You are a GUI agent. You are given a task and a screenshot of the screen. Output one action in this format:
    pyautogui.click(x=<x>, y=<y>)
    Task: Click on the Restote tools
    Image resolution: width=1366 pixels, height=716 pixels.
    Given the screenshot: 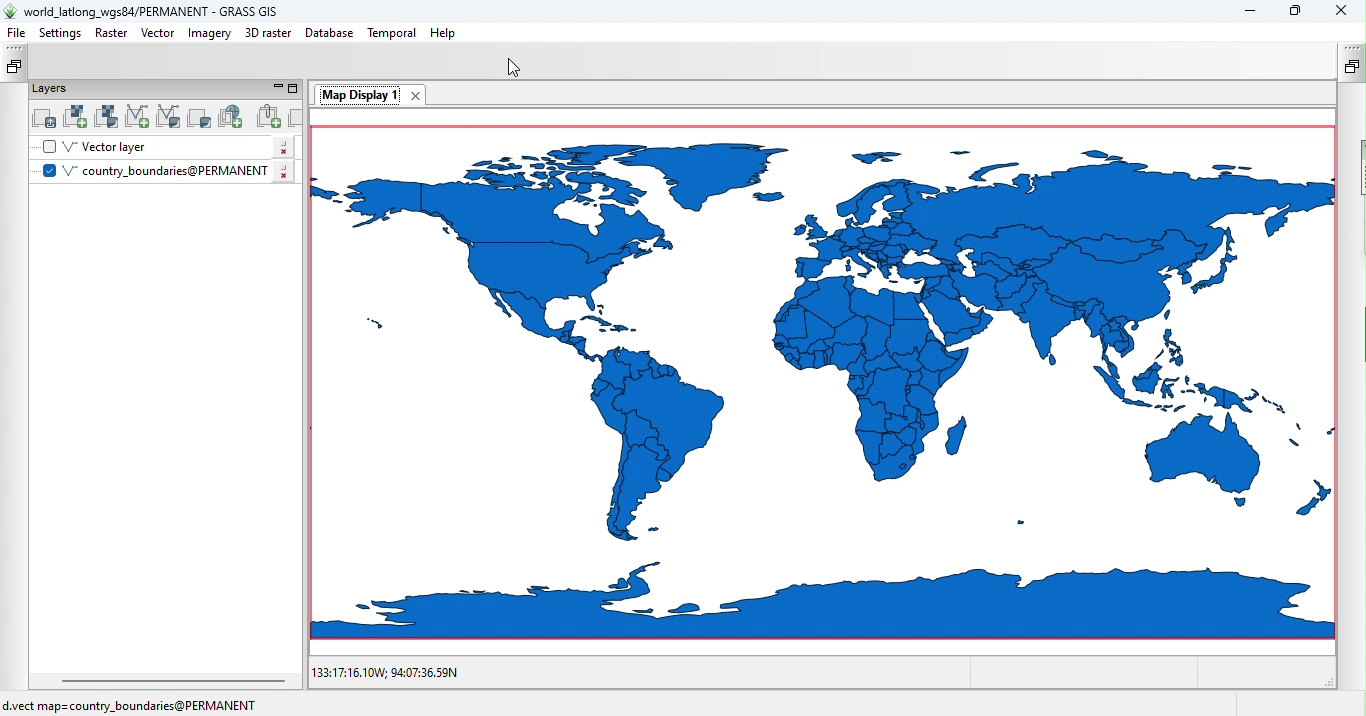 What is the action you would take?
    pyautogui.click(x=1351, y=62)
    